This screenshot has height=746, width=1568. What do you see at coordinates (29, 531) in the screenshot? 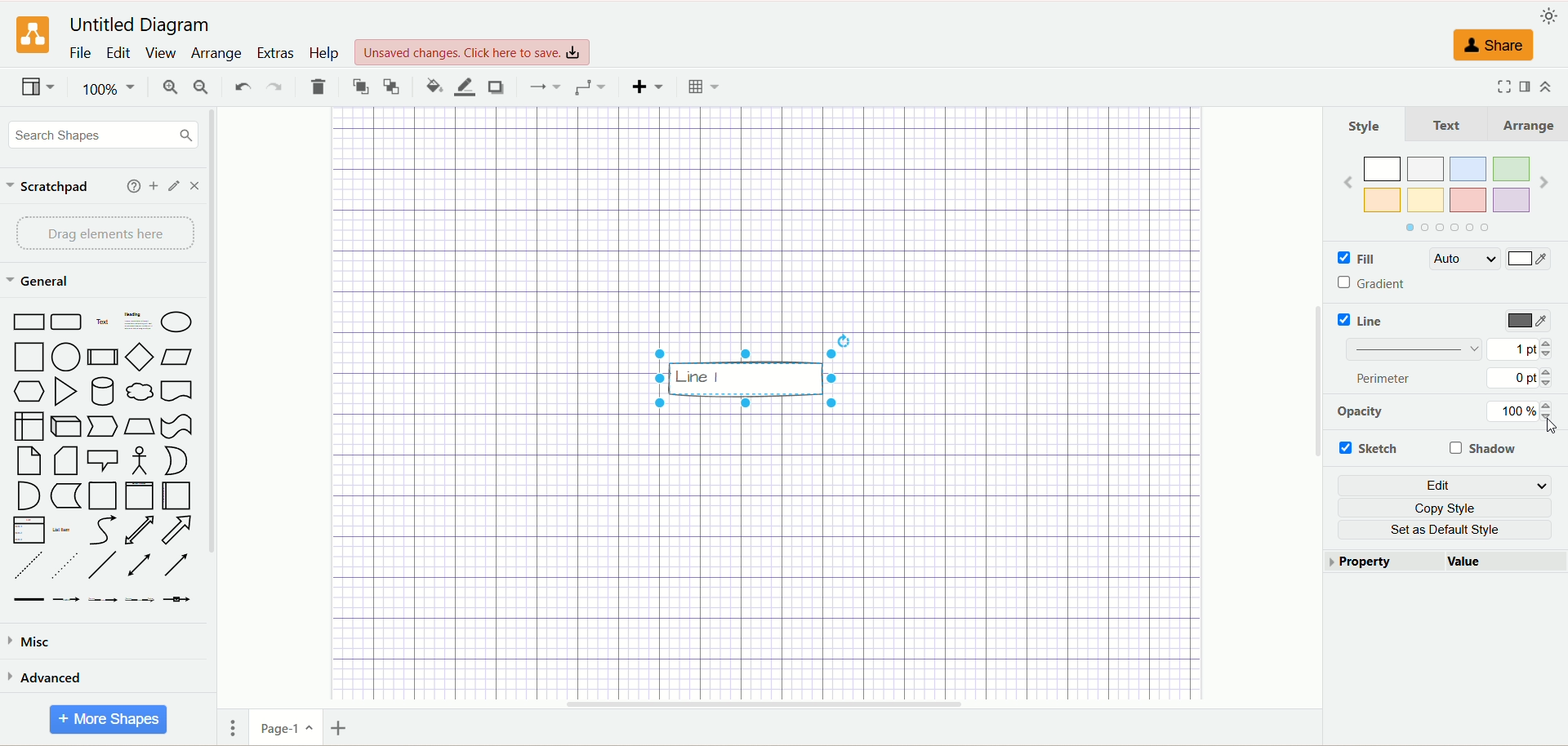
I see `List` at bounding box center [29, 531].